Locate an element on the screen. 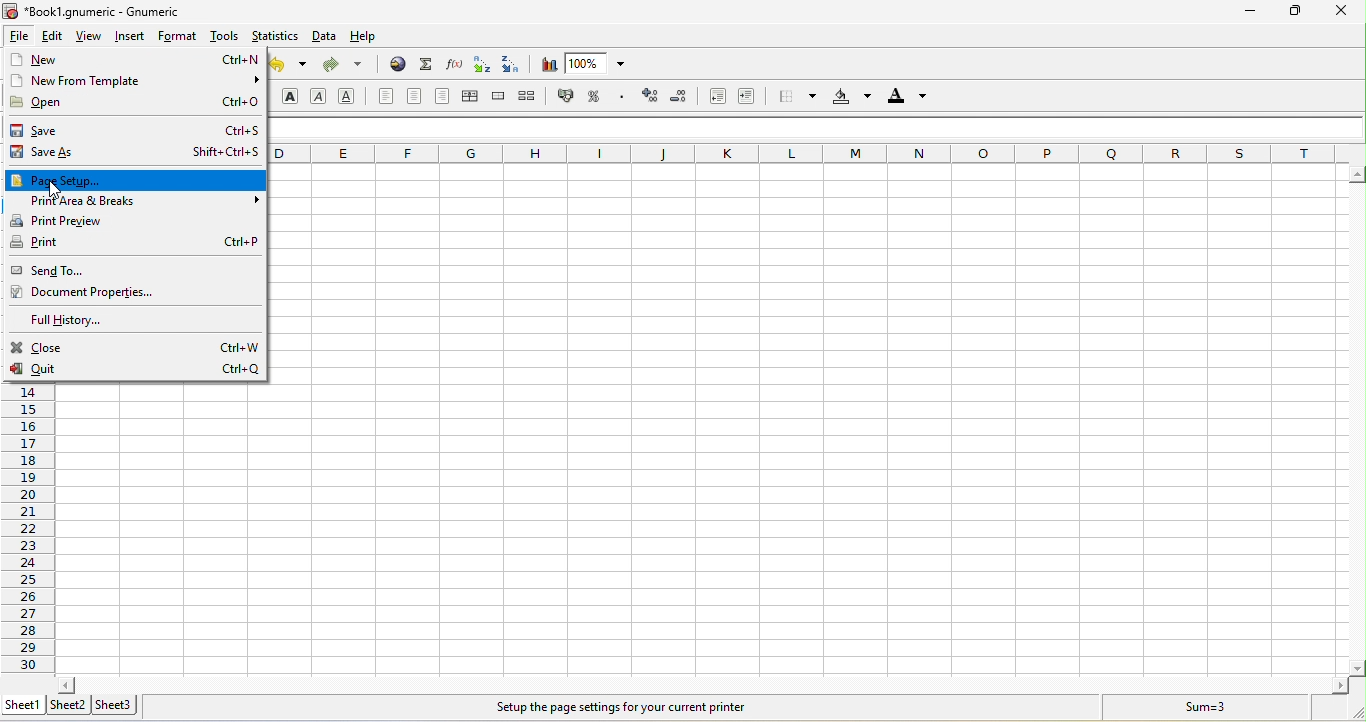 This screenshot has height=722, width=1366. full history is located at coordinates (93, 318).